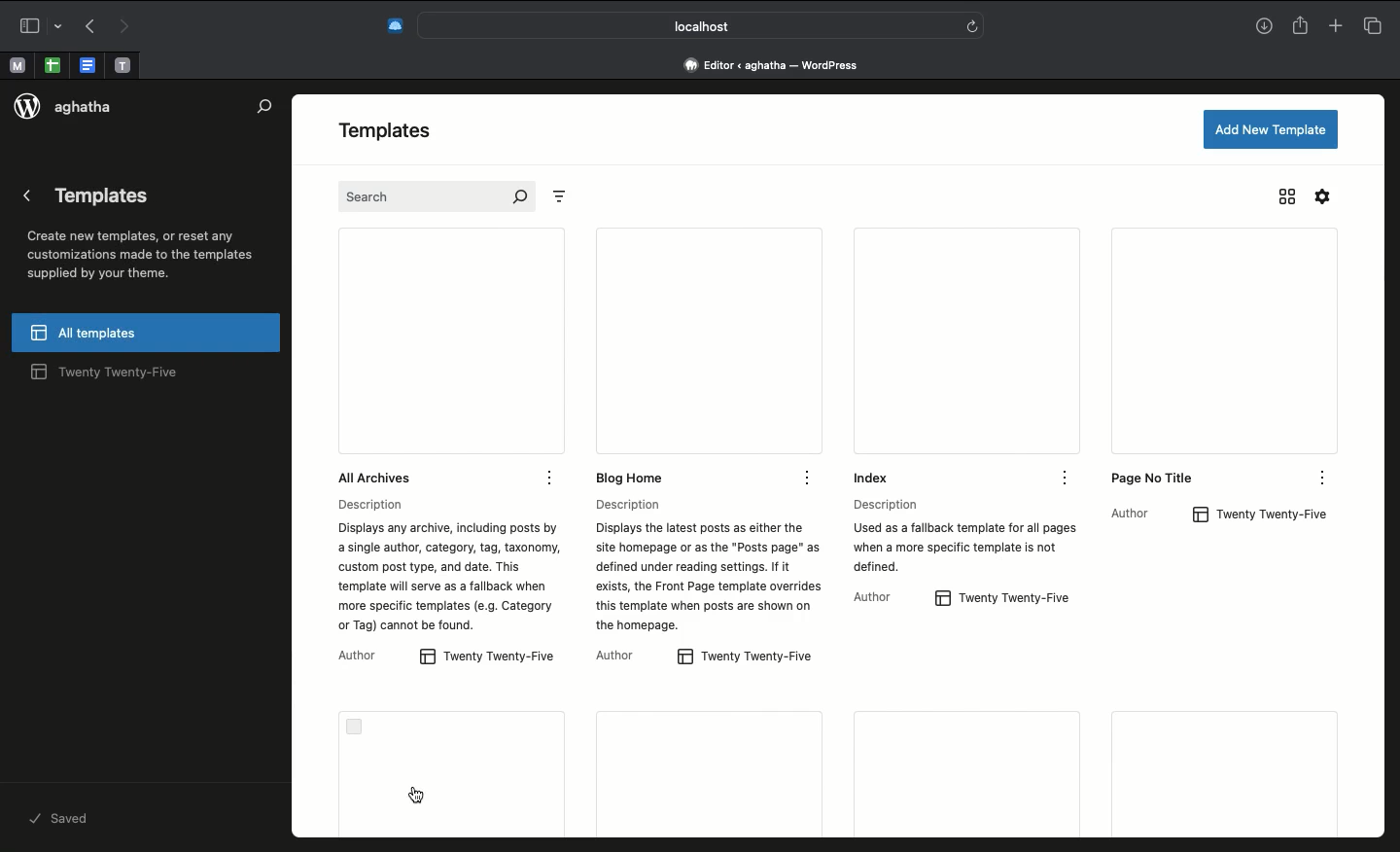 The width and height of the screenshot is (1400, 852). Describe the element at coordinates (874, 600) in the screenshot. I see `Author` at that location.